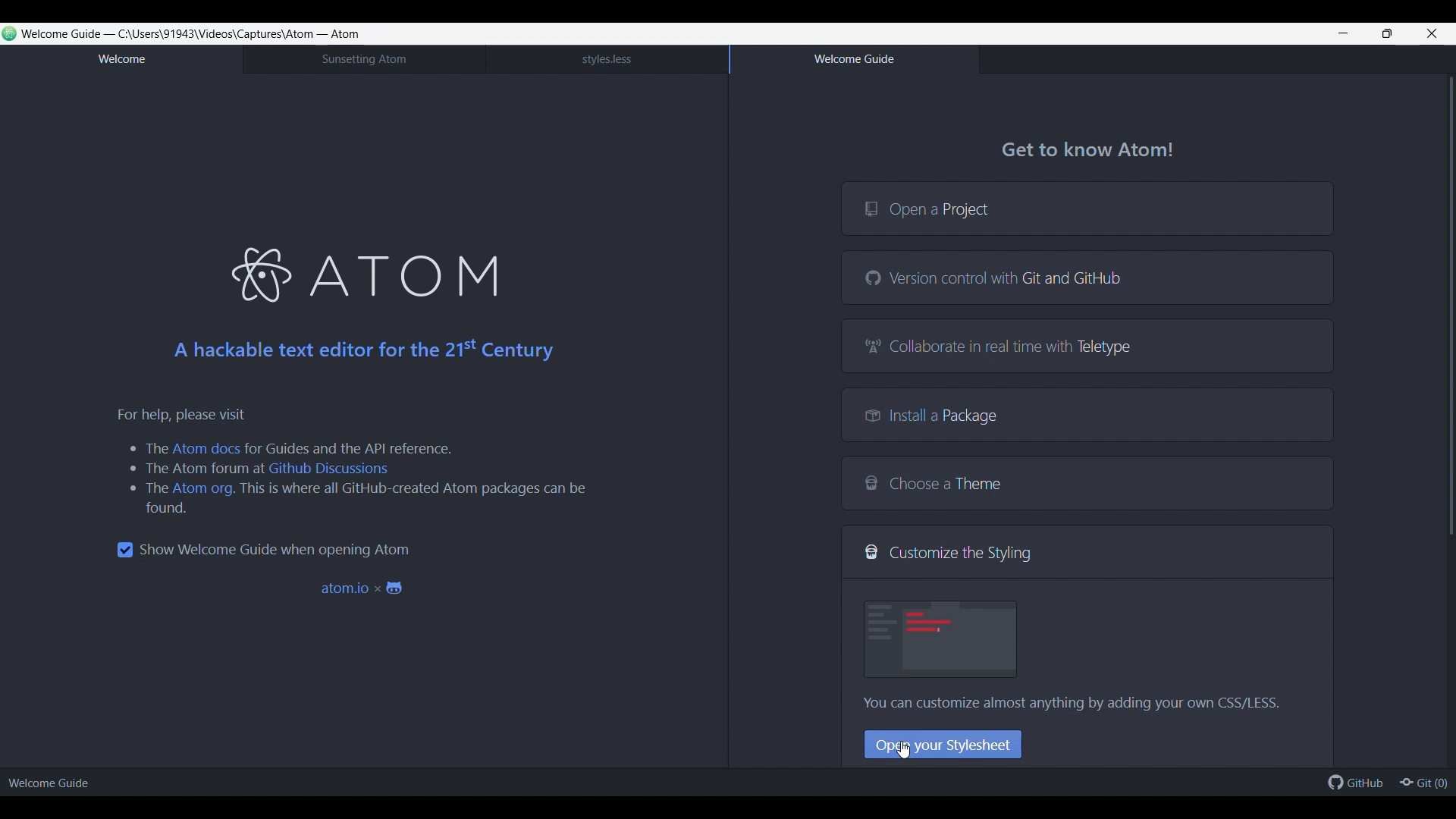 The image size is (1456, 819). I want to click on atom.io x &9, so click(369, 591).